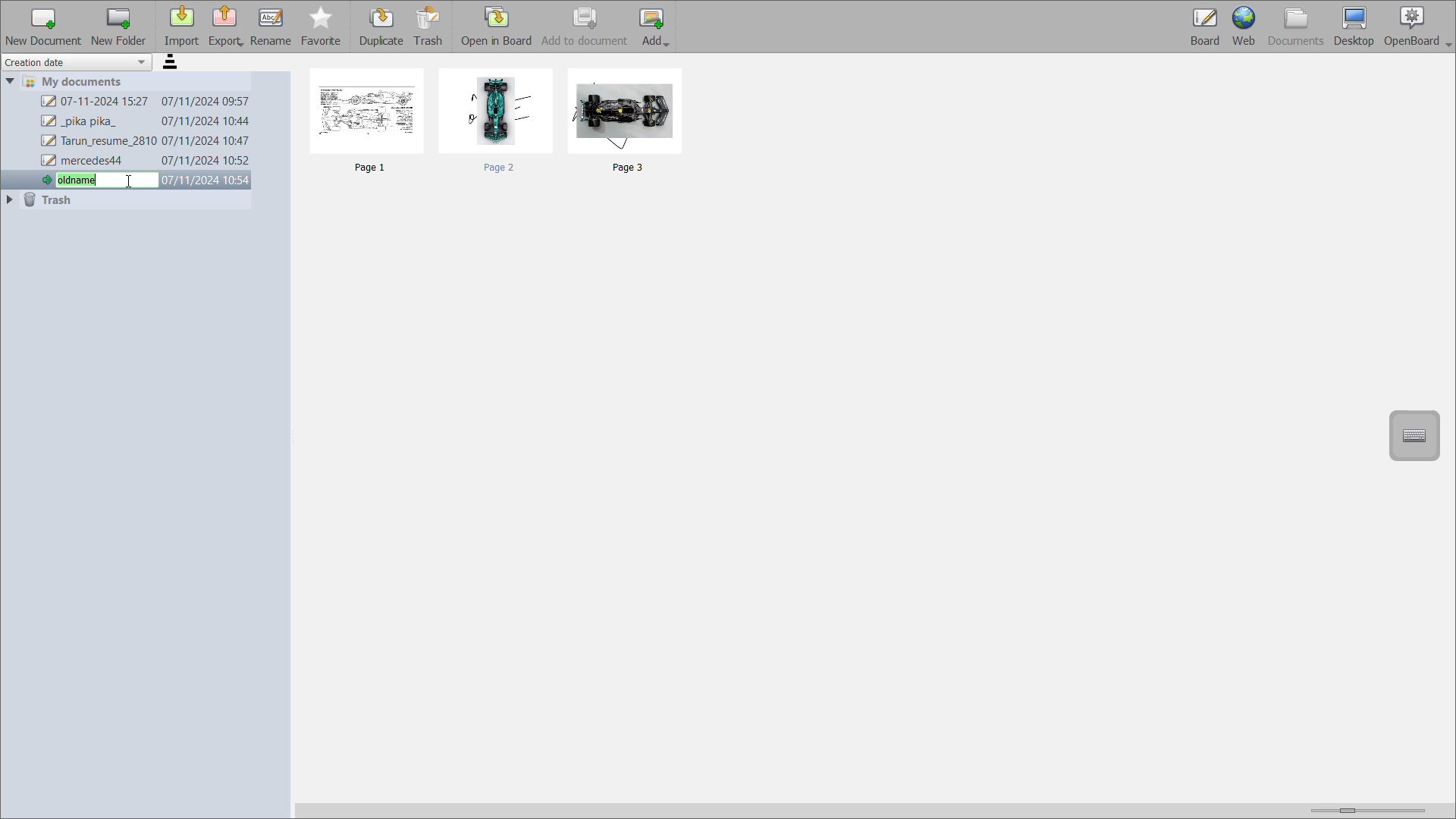 The height and width of the screenshot is (819, 1456). What do you see at coordinates (499, 120) in the screenshot?
I see `page2` at bounding box center [499, 120].